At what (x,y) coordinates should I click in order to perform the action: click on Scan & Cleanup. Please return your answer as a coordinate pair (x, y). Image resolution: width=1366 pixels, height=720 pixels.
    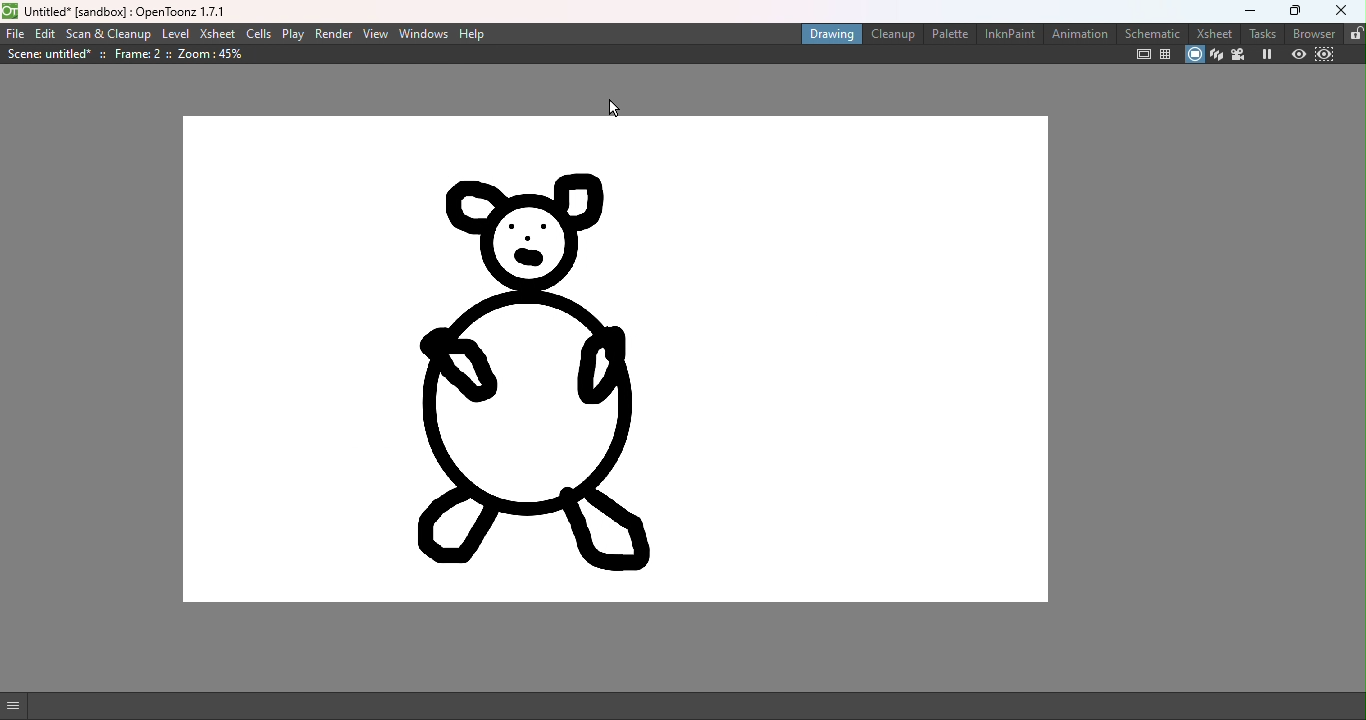
    Looking at the image, I should click on (109, 35).